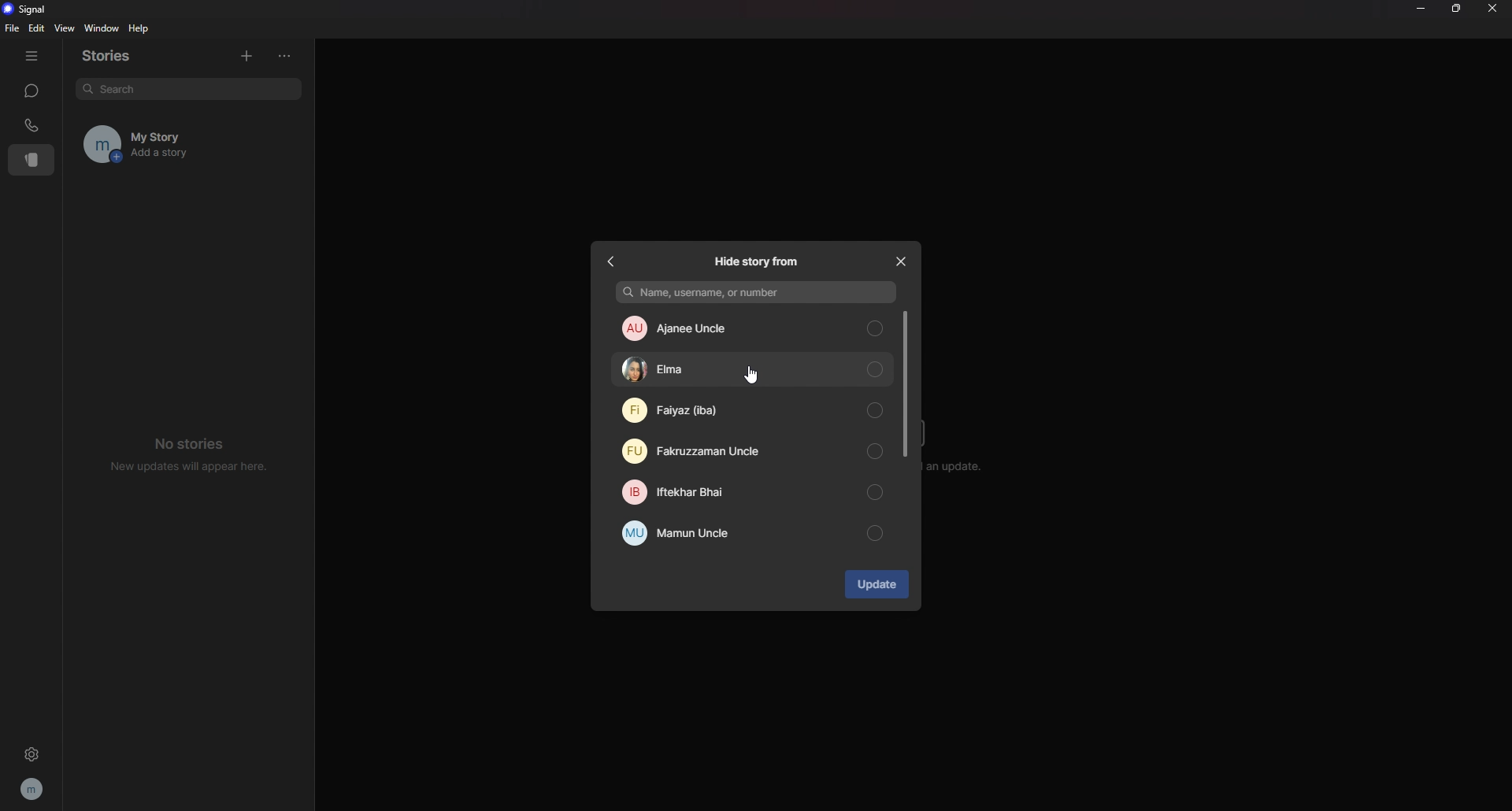 The height and width of the screenshot is (811, 1512). What do you see at coordinates (36, 28) in the screenshot?
I see `edit` at bounding box center [36, 28].